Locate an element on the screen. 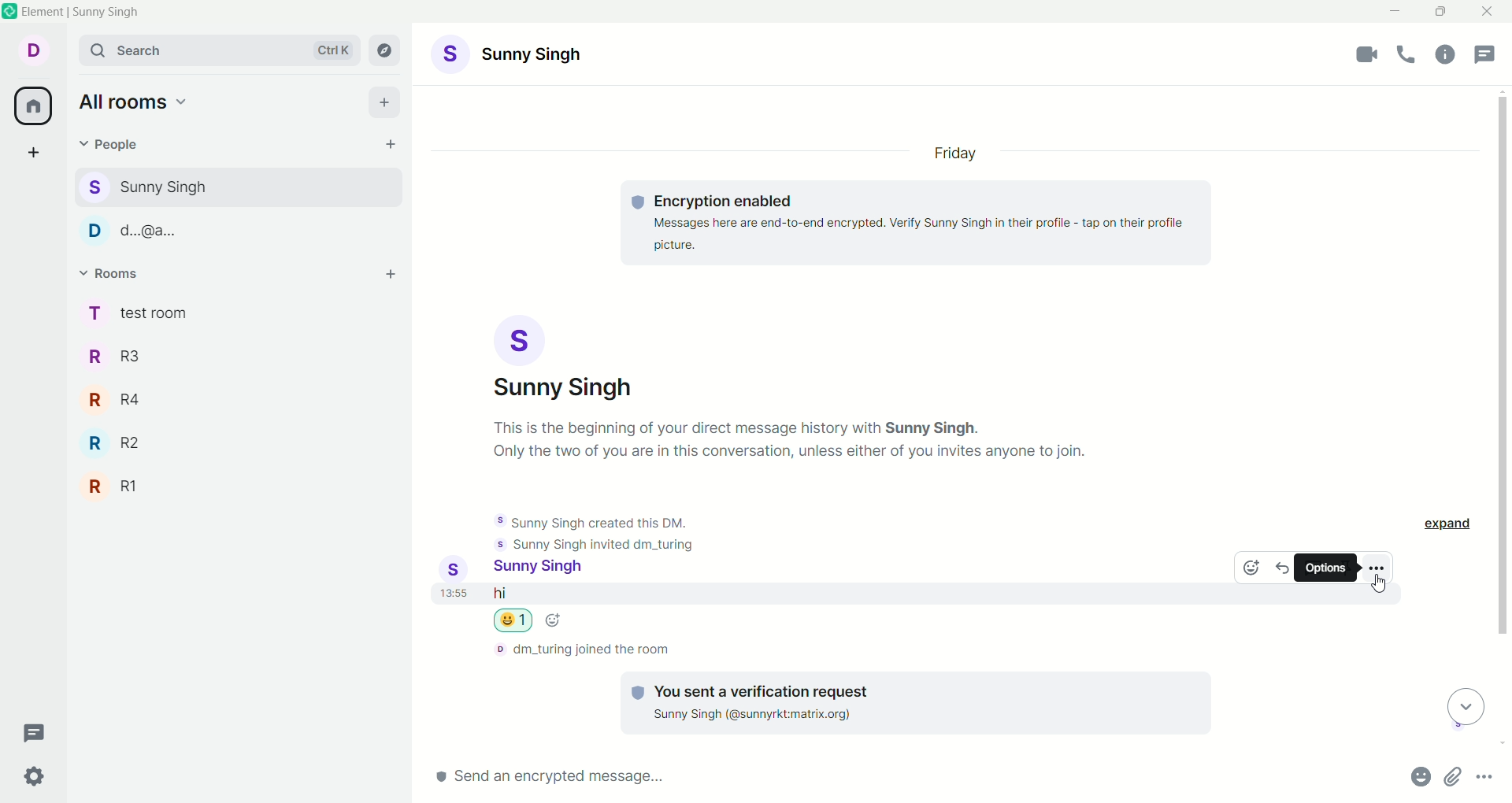 The image size is (1512, 803). message is located at coordinates (580, 594).